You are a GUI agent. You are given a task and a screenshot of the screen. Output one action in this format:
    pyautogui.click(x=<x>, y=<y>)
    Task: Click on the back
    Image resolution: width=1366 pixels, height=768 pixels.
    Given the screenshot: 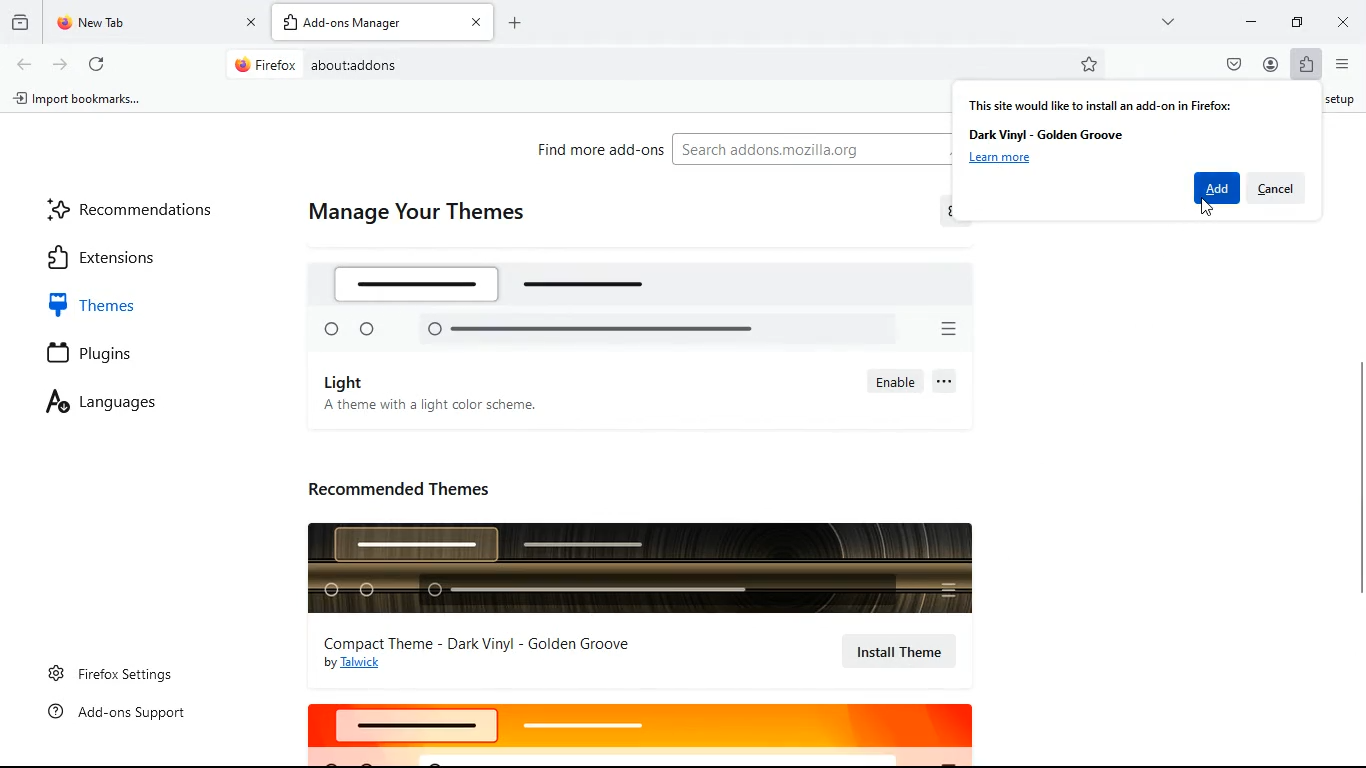 What is the action you would take?
    pyautogui.click(x=26, y=64)
    